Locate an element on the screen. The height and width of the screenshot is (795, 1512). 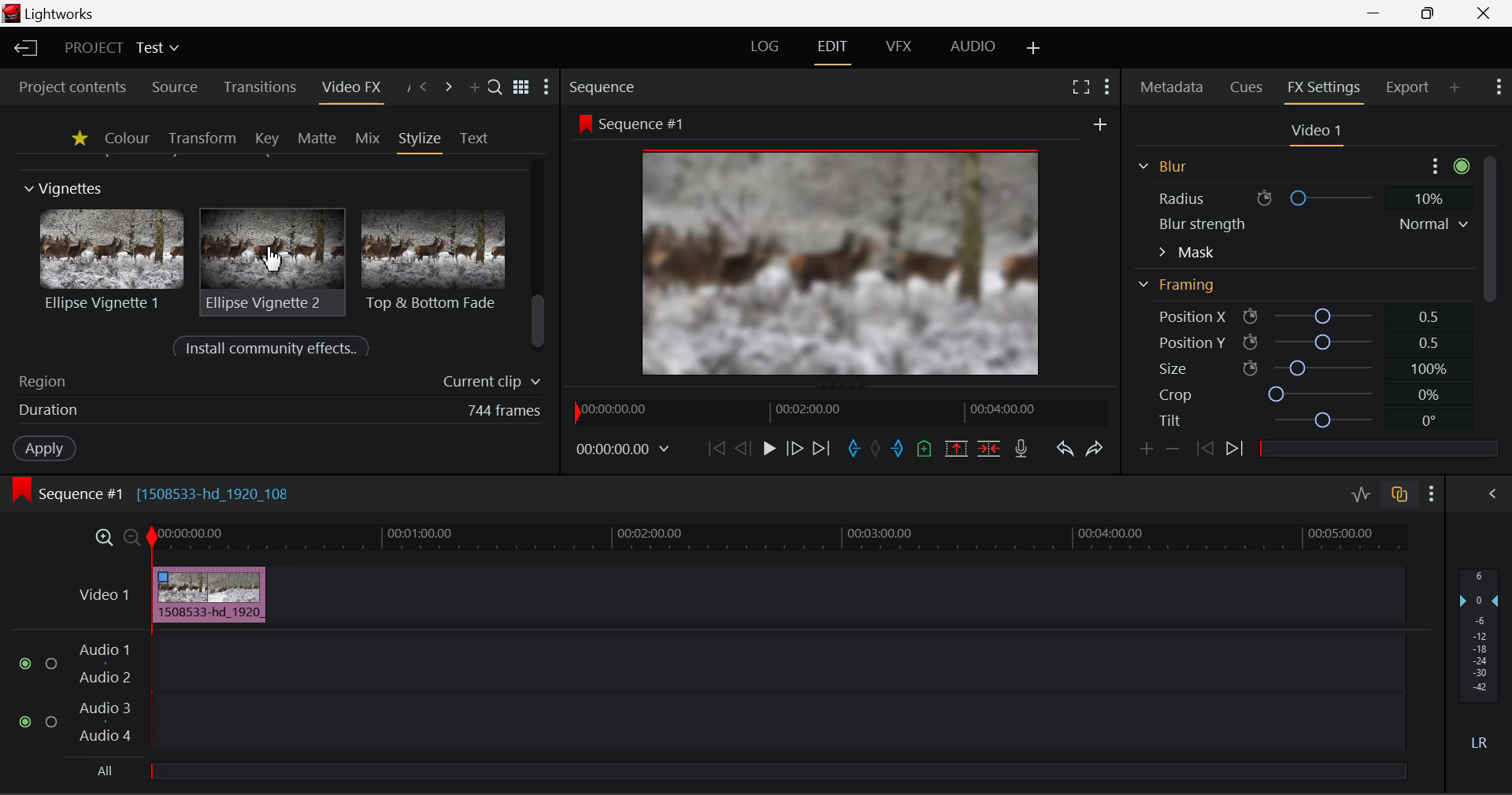
Add Layout is located at coordinates (1034, 48).